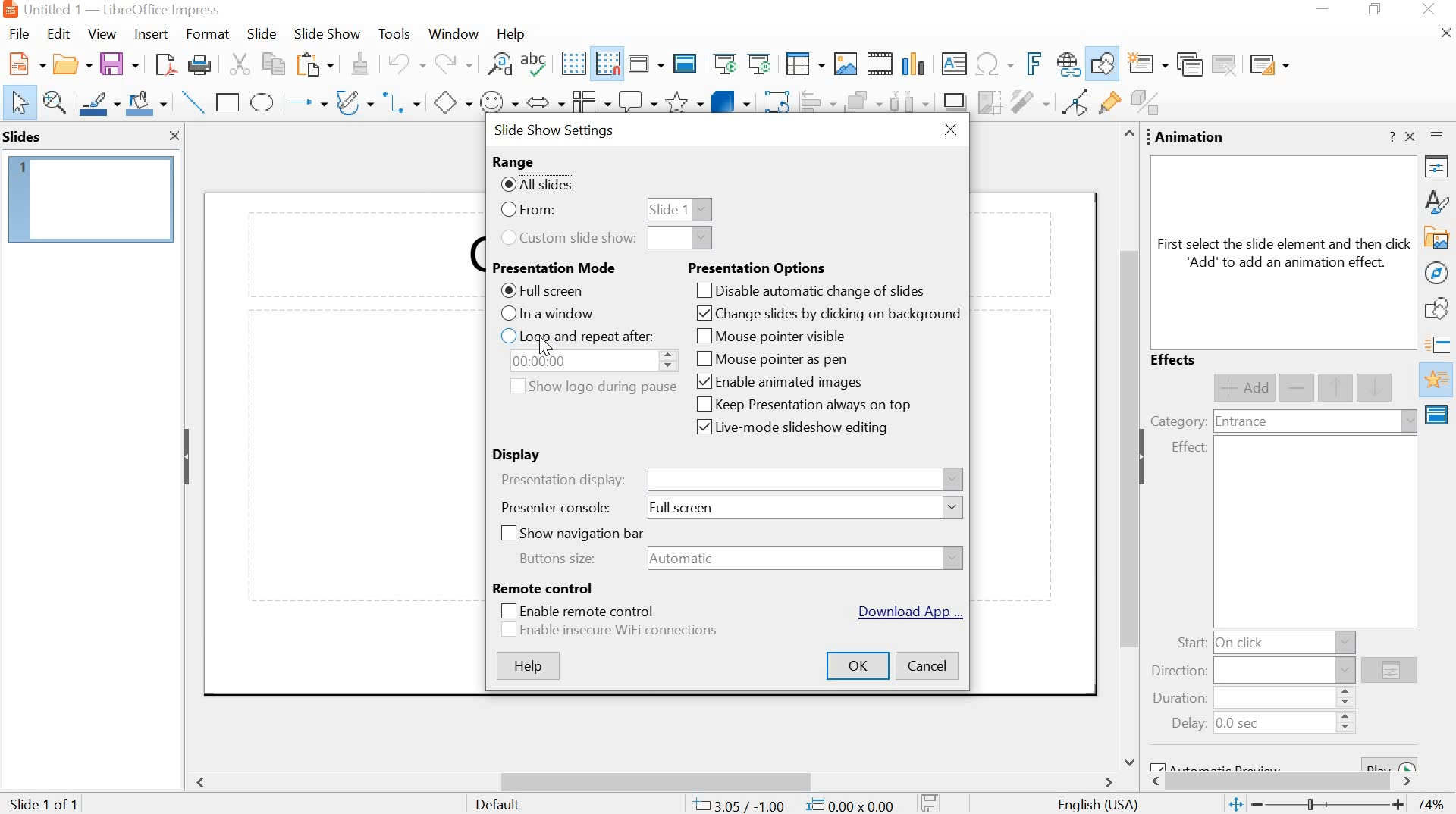 The width and height of the screenshot is (1456, 814). I want to click on enable insecure wifi connections, so click(609, 631).